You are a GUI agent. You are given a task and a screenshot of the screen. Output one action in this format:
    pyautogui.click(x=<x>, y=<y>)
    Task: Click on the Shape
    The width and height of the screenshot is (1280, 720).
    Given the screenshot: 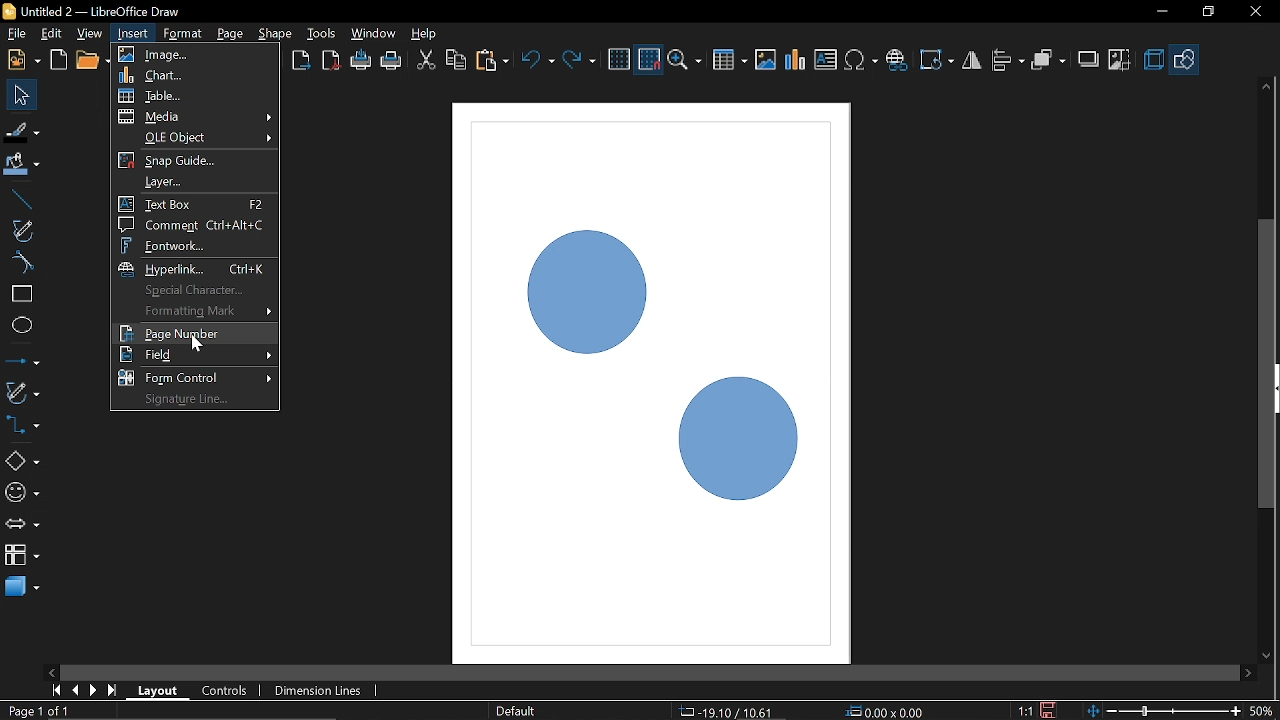 What is the action you would take?
    pyautogui.click(x=276, y=33)
    